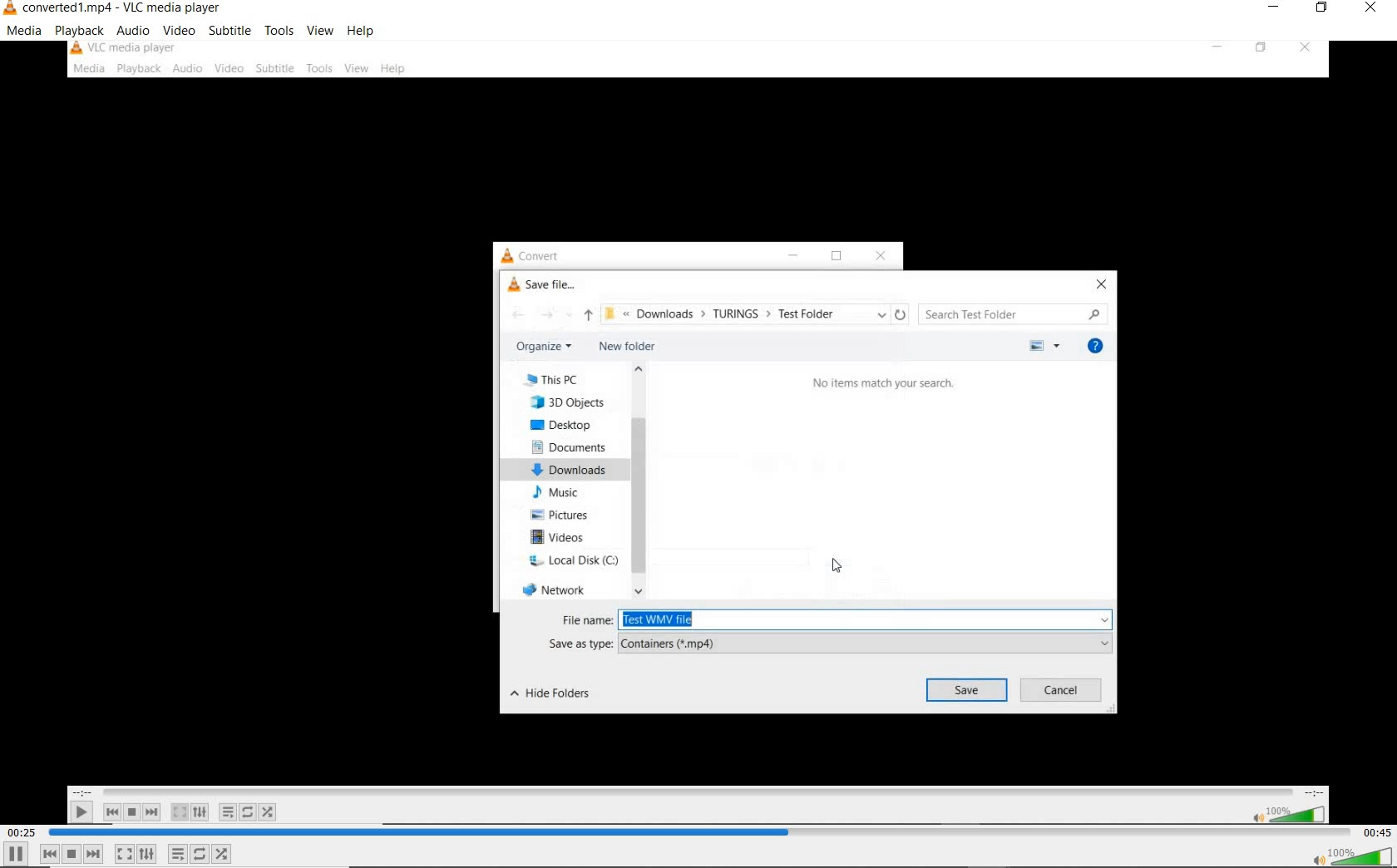  Describe the element at coordinates (79, 30) in the screenshot. I see `playback` at that location.